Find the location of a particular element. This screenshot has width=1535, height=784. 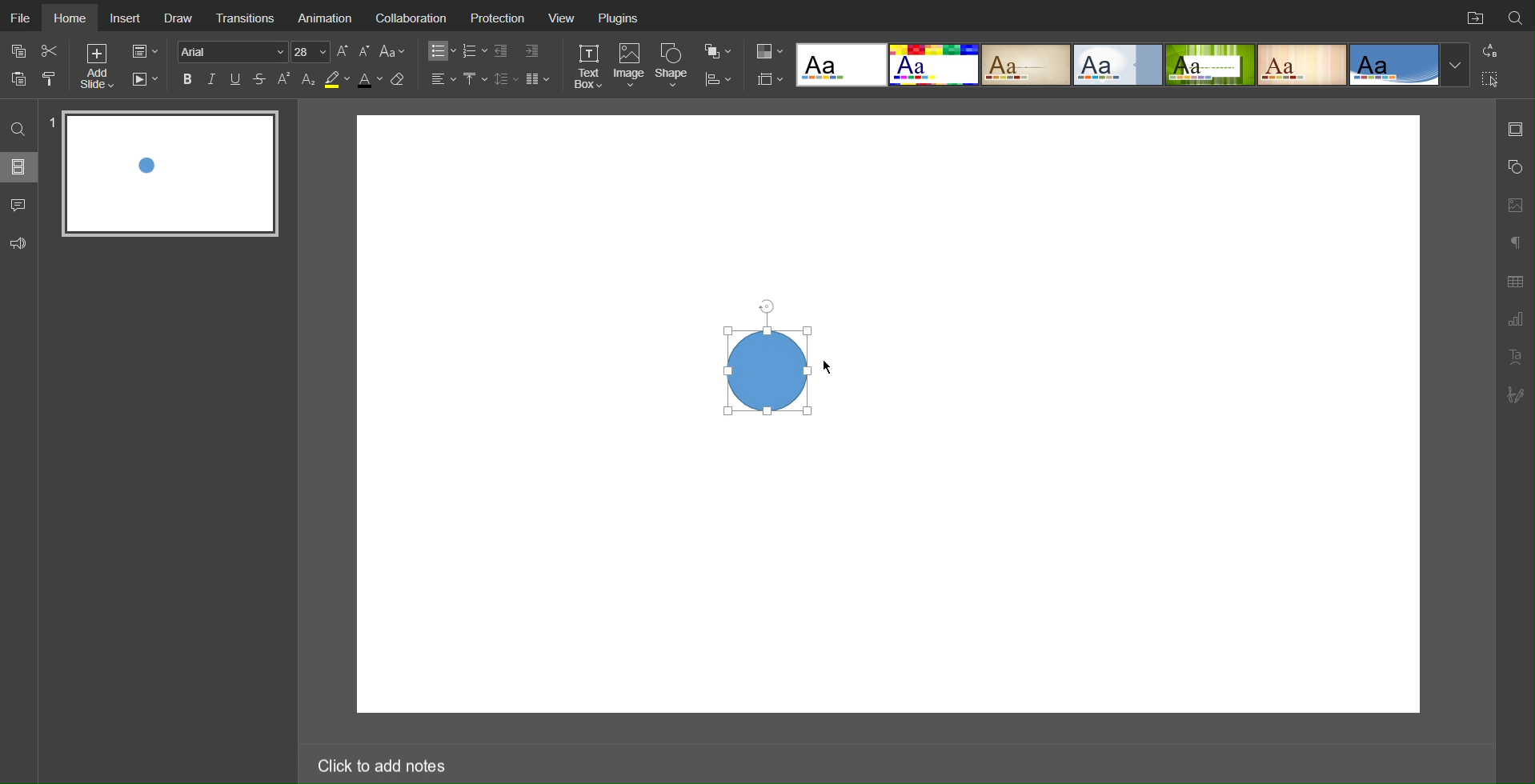

Font Size is located at coordinates (353, 51).